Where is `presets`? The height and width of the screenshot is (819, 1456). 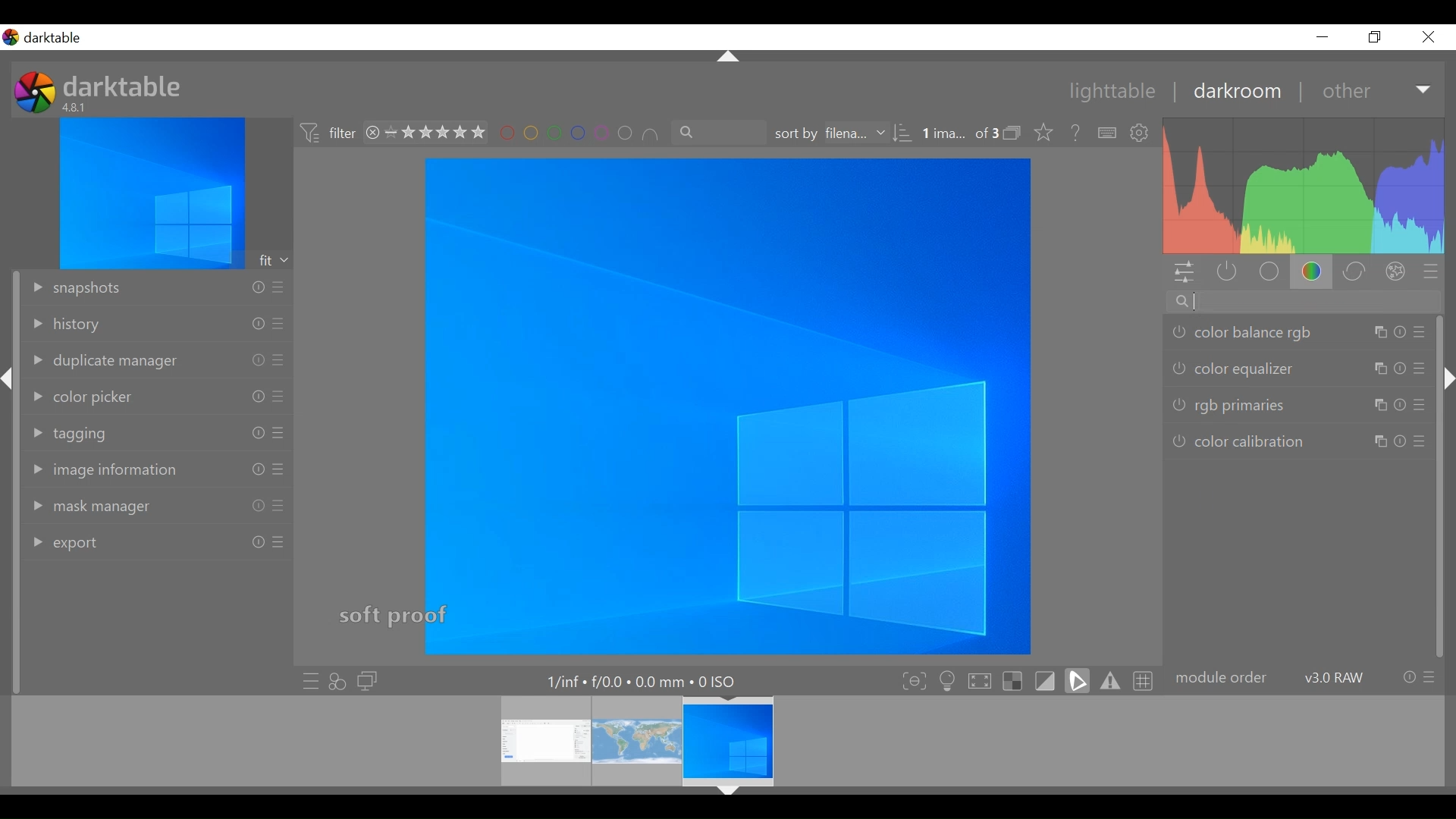 presets is located at coordinates (1430, 677).